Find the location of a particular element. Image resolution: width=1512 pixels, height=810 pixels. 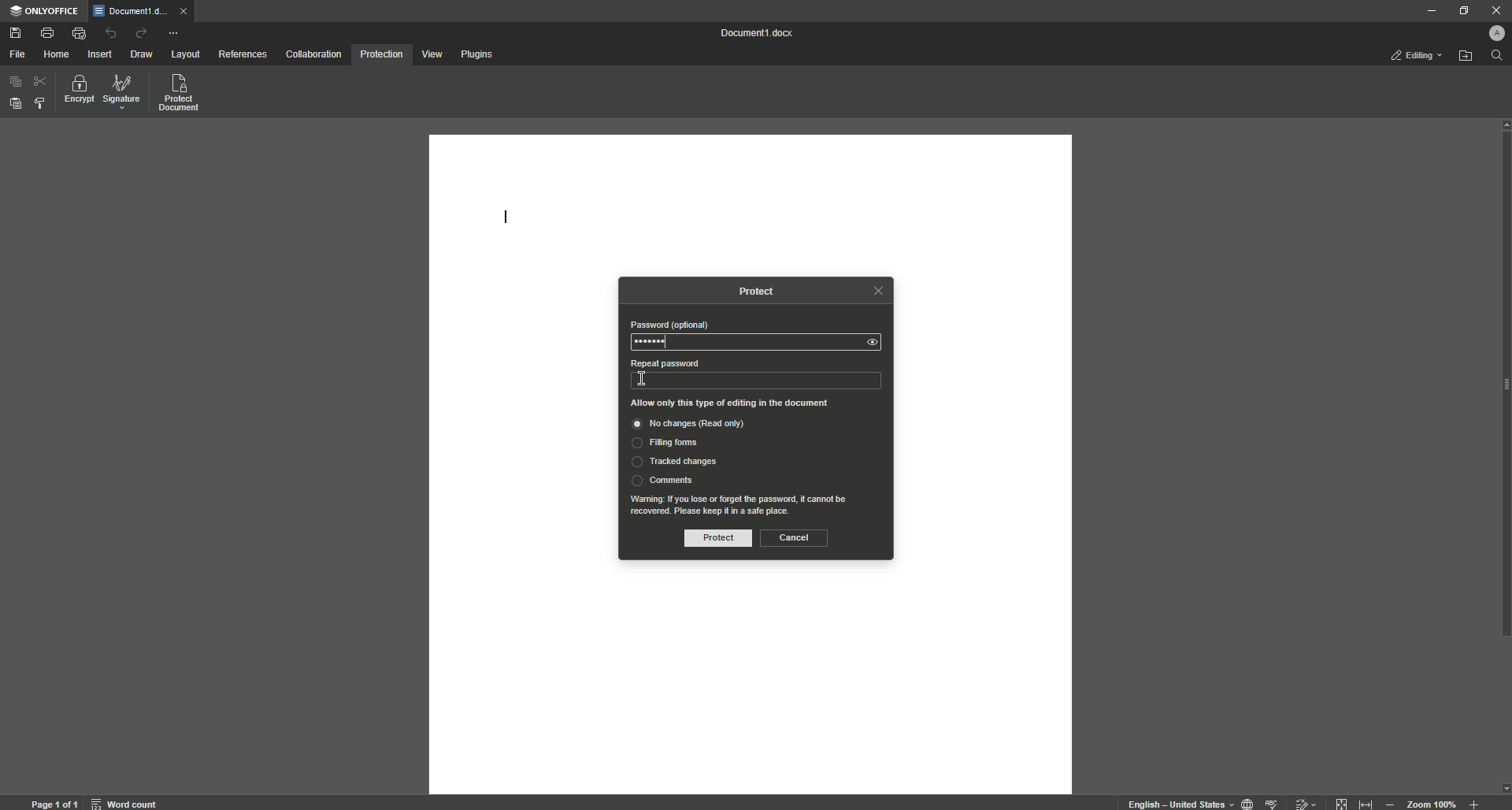

fit to page is located at coordinates (1342, 801).